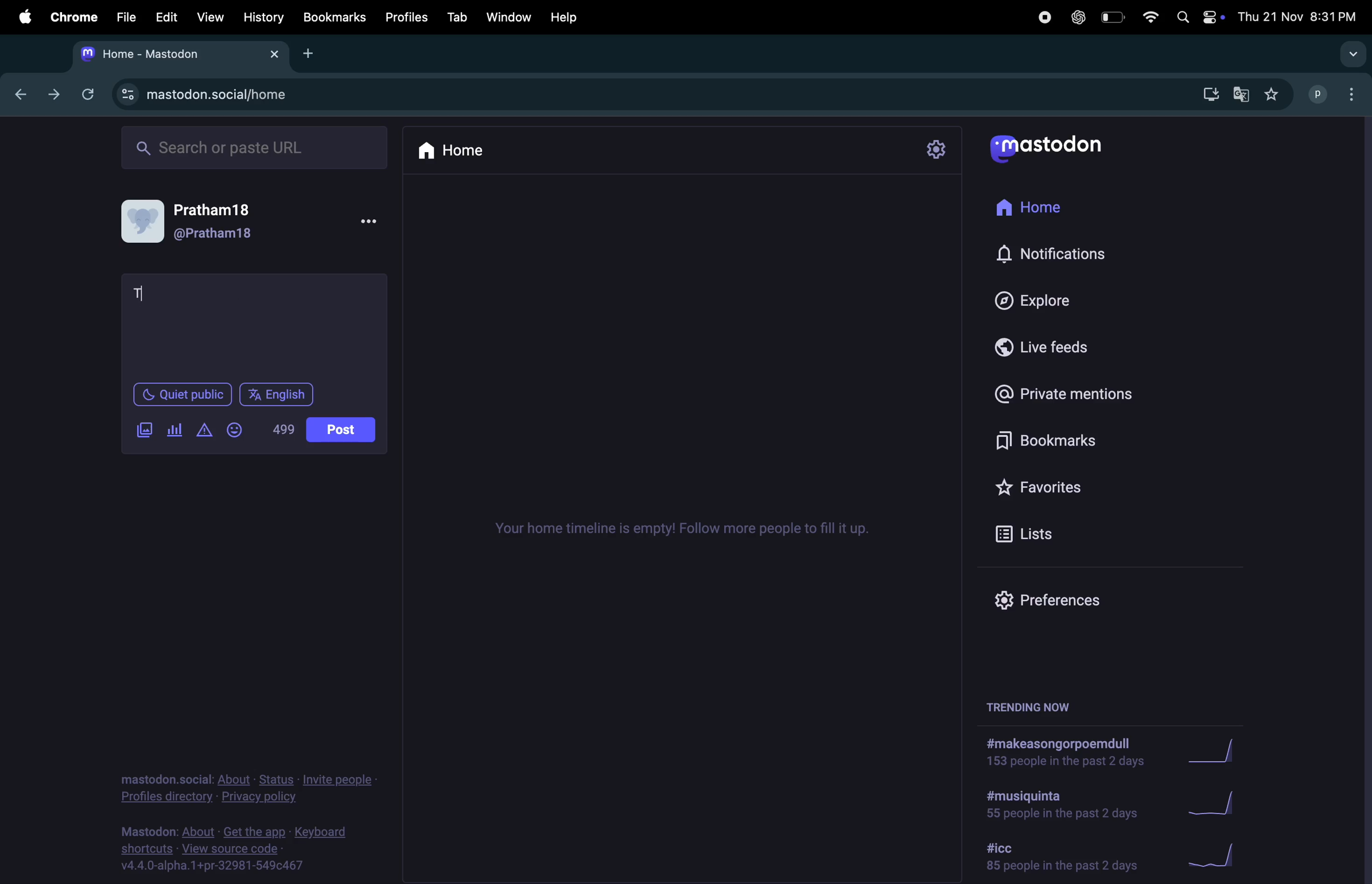 The width and height of the screenshot is (1372, 884). What do you see at coordinates (281, 393) in the screenshot?
I see `language` at bounding box center [281, 393].